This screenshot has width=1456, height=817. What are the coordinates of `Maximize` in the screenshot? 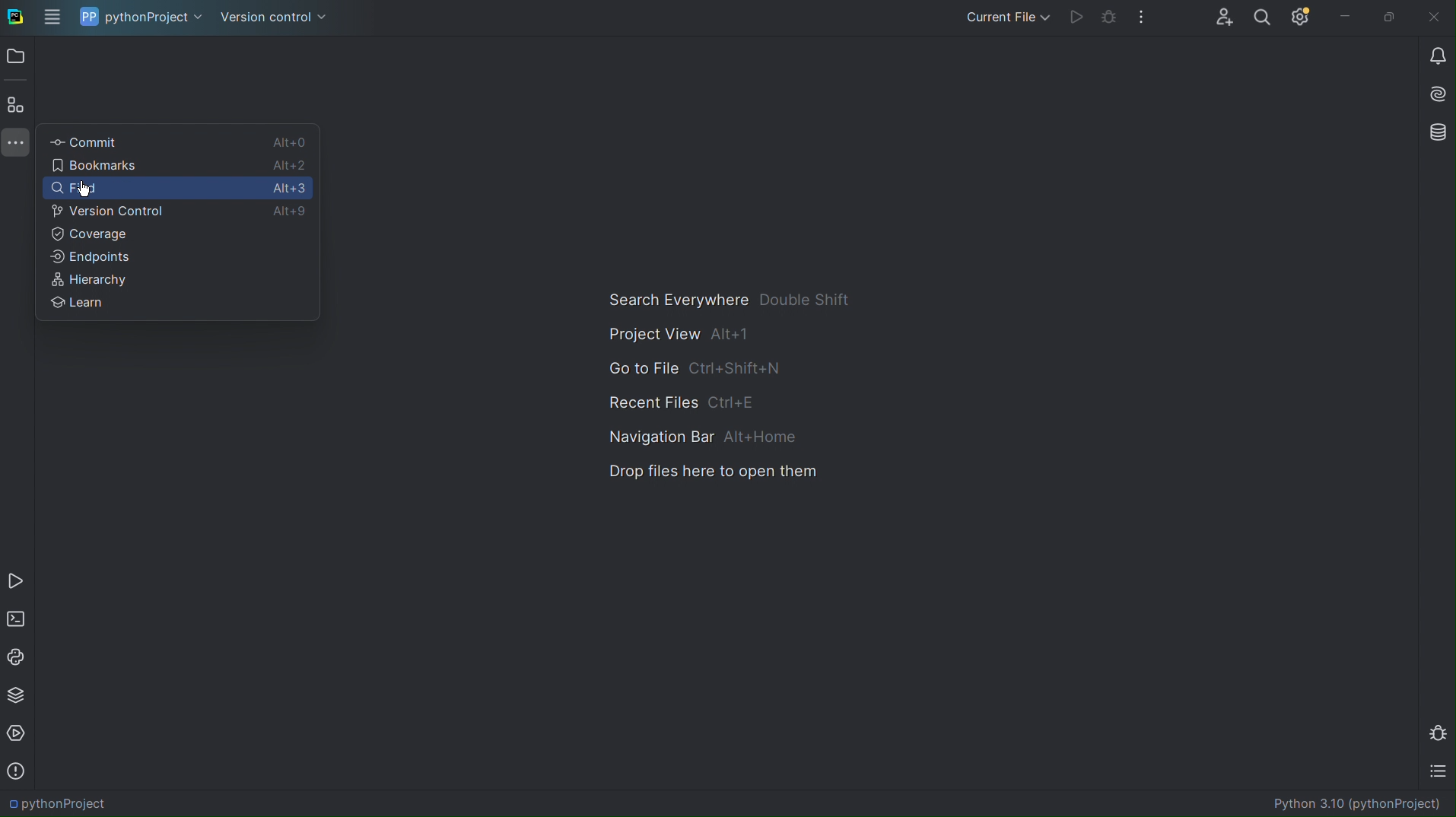 It's located at (1393, 19).